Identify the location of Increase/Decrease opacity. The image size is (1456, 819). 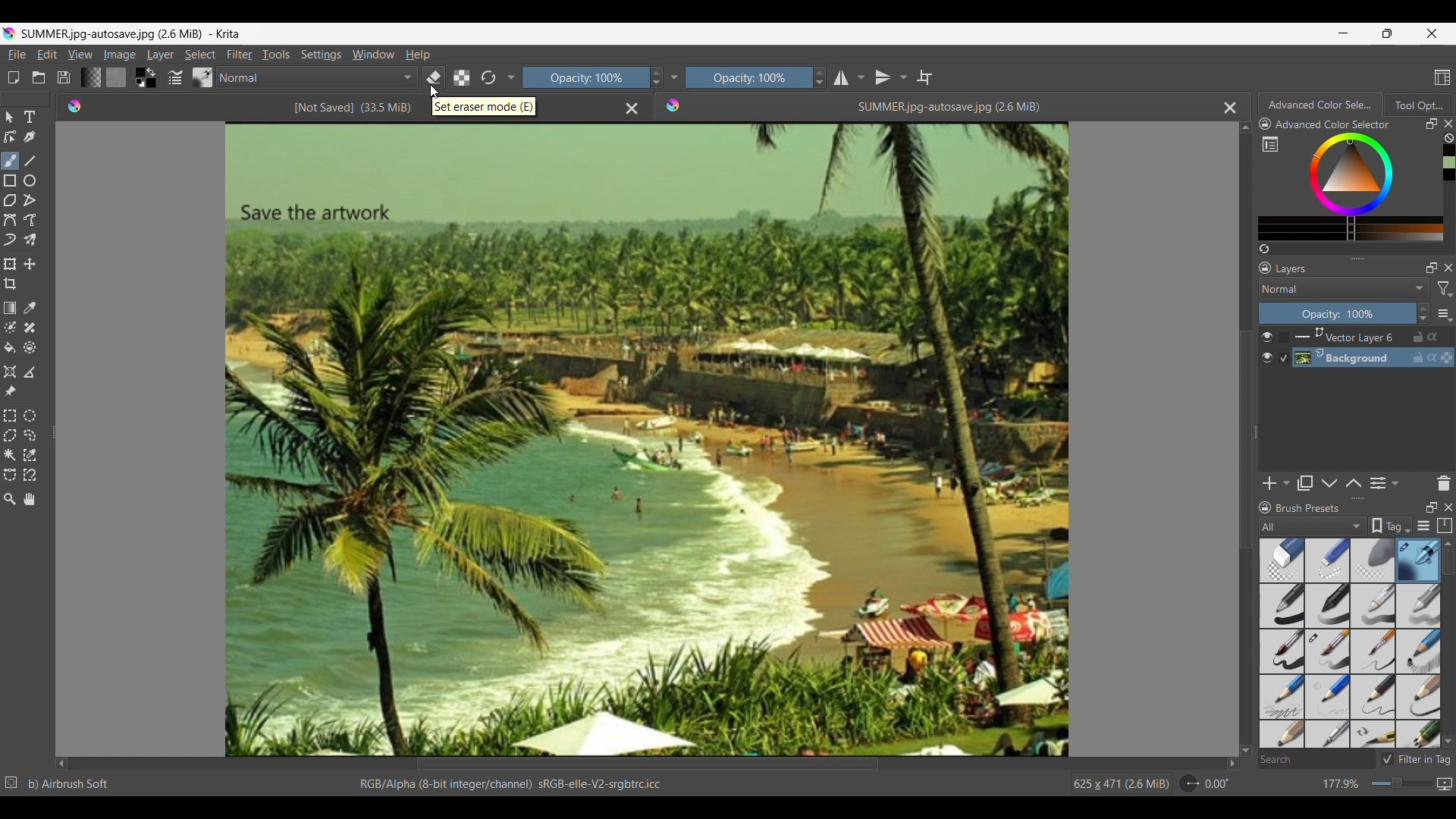
(820, 77).